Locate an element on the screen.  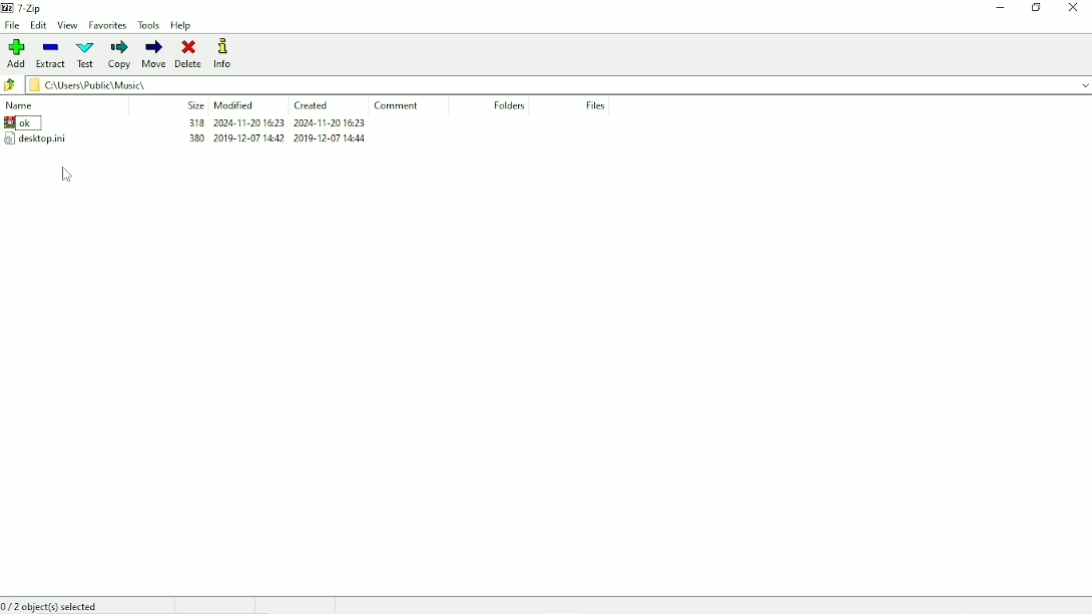
Info is located at coordinates (226, 54).